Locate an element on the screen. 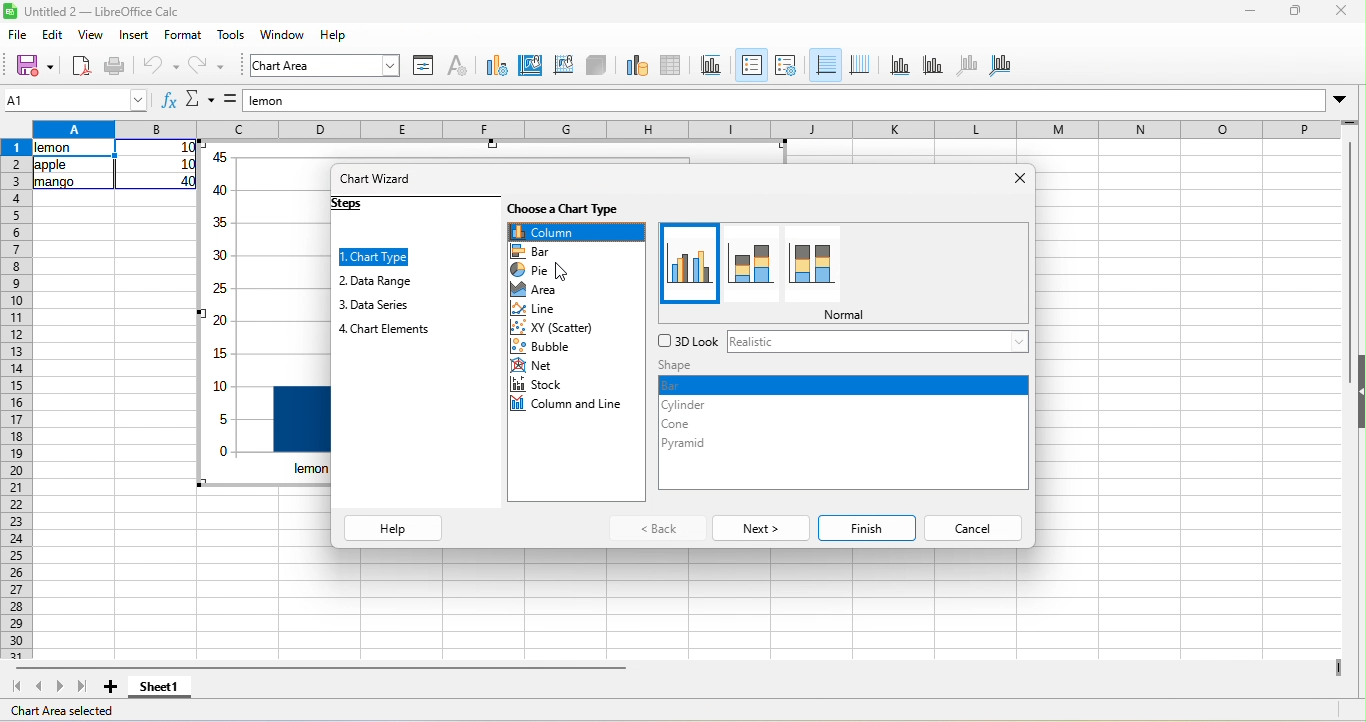 This screenshot has height=722, width=1366. vertical scroll bar is located at coordinates (1351, 235).